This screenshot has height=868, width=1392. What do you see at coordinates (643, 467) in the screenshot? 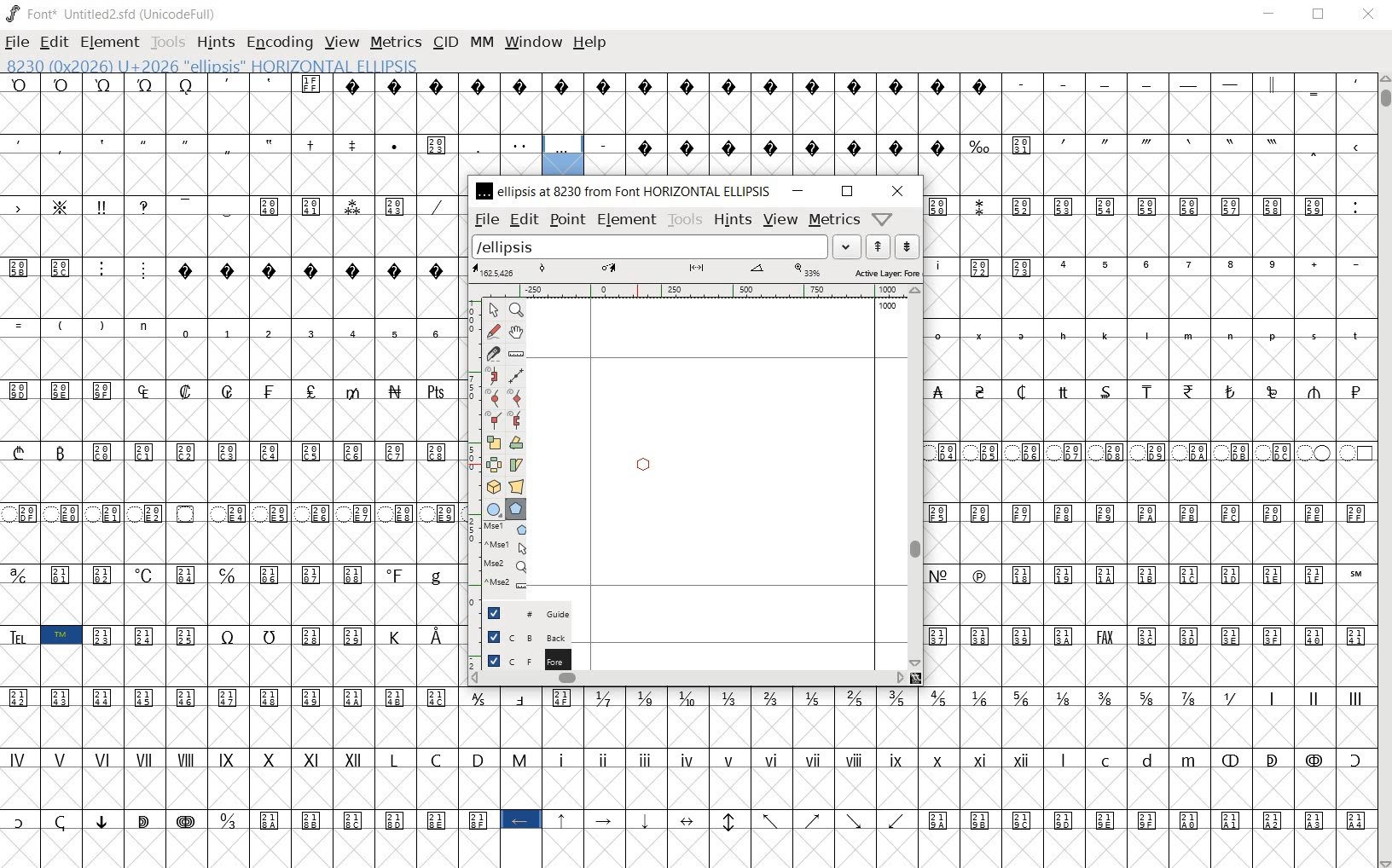
I see `polygon or star/CURSOR LOCATION` at bounding box center [643, 467].